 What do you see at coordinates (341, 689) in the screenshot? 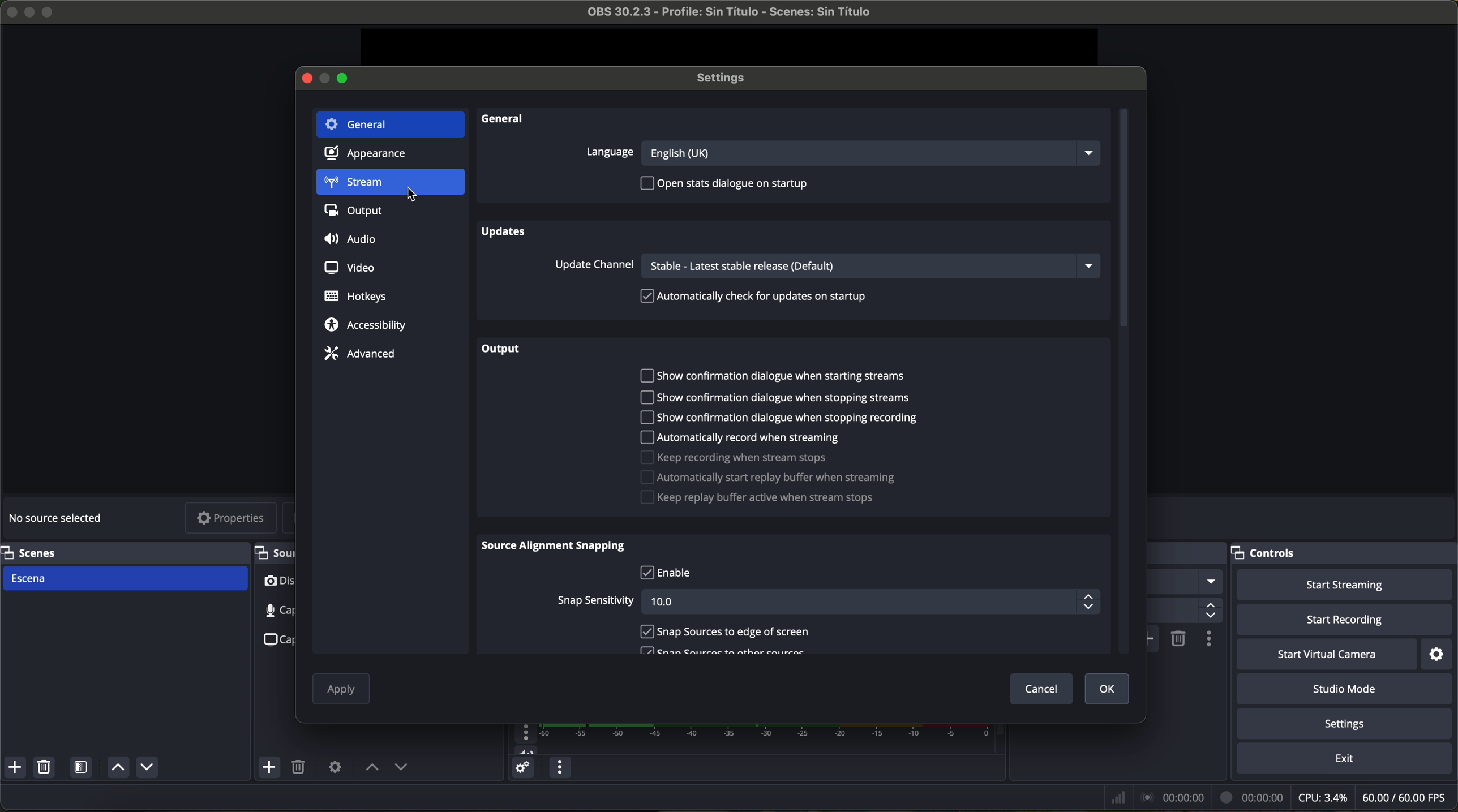
I see `disable apply button` at bounding box center [341, 689].